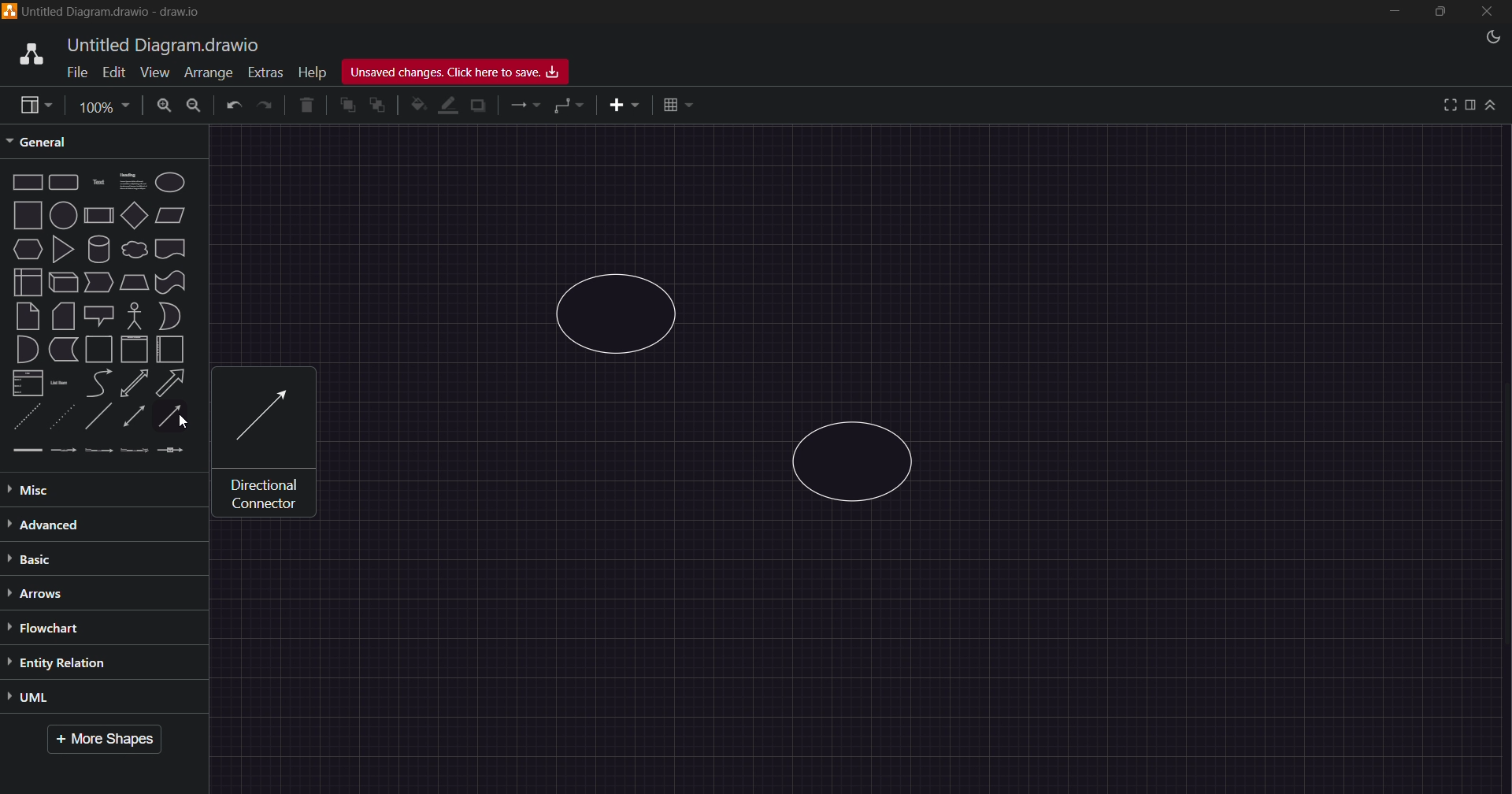  I want to click on Page Size, so click(102, 105).